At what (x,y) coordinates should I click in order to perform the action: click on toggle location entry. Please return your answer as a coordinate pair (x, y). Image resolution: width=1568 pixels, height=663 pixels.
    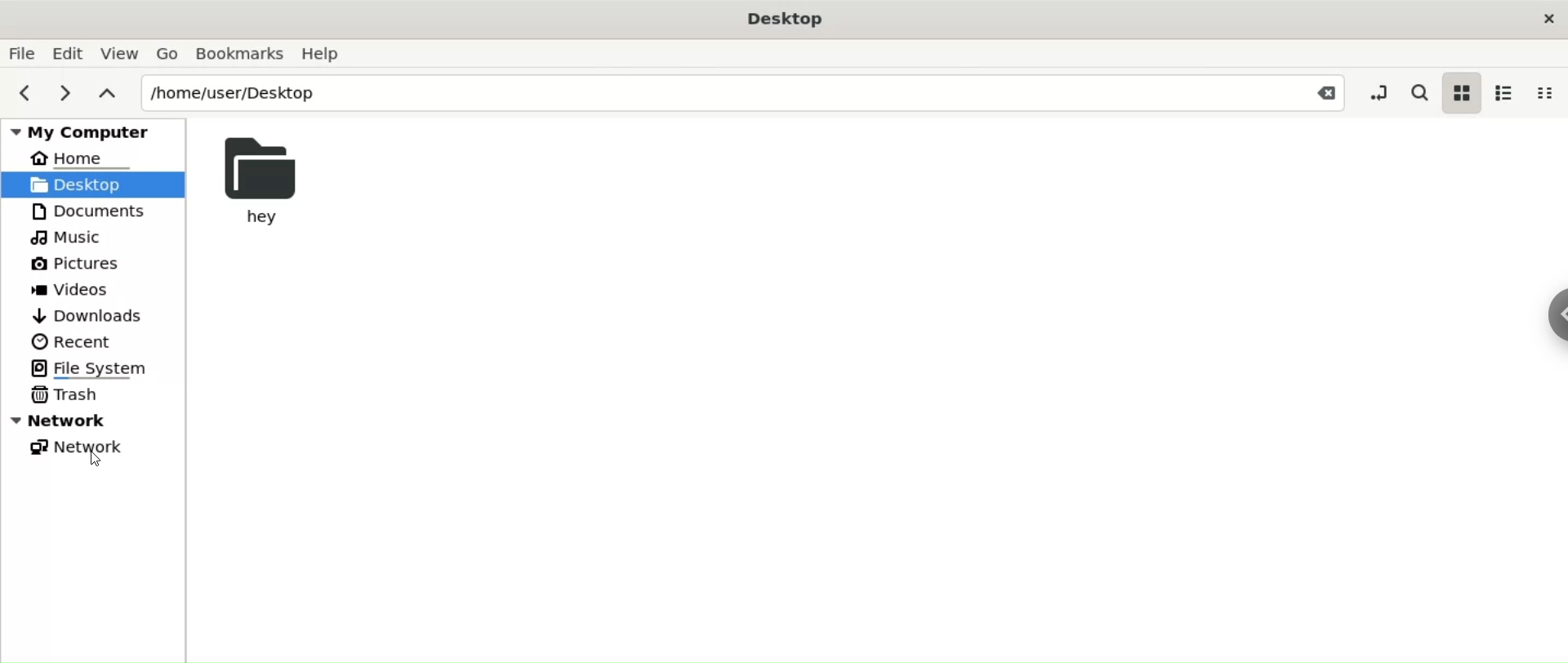
    Looking at the image, I should click on (1380, 91).